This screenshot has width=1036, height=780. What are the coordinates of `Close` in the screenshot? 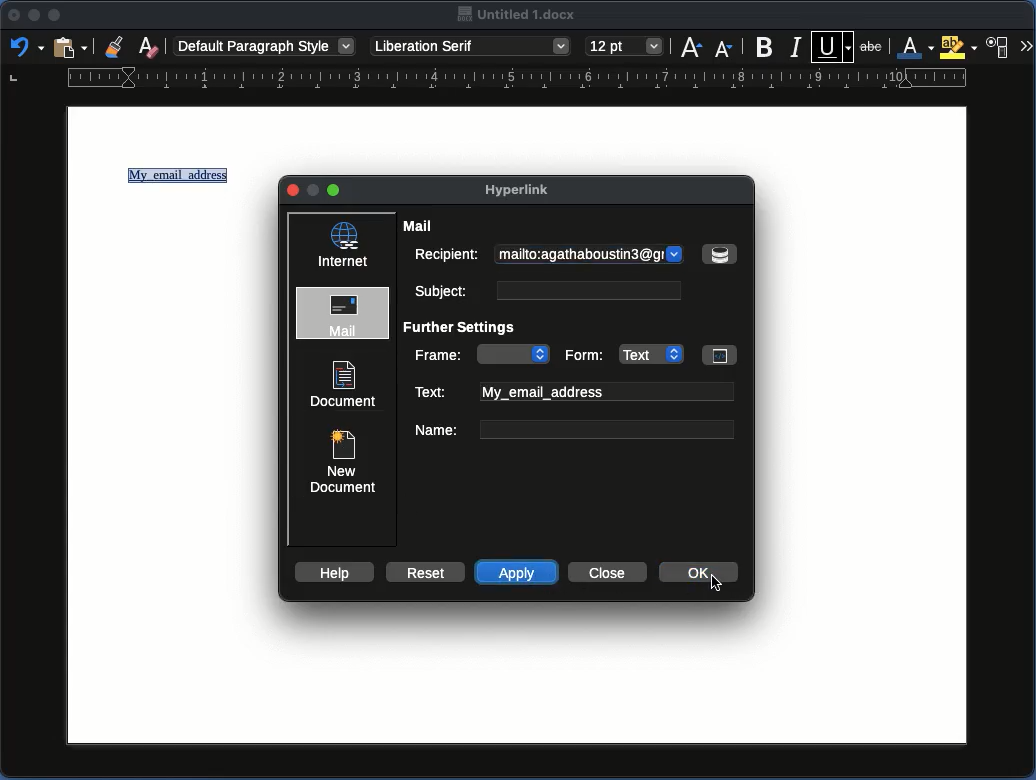 It's located at (14, 15).